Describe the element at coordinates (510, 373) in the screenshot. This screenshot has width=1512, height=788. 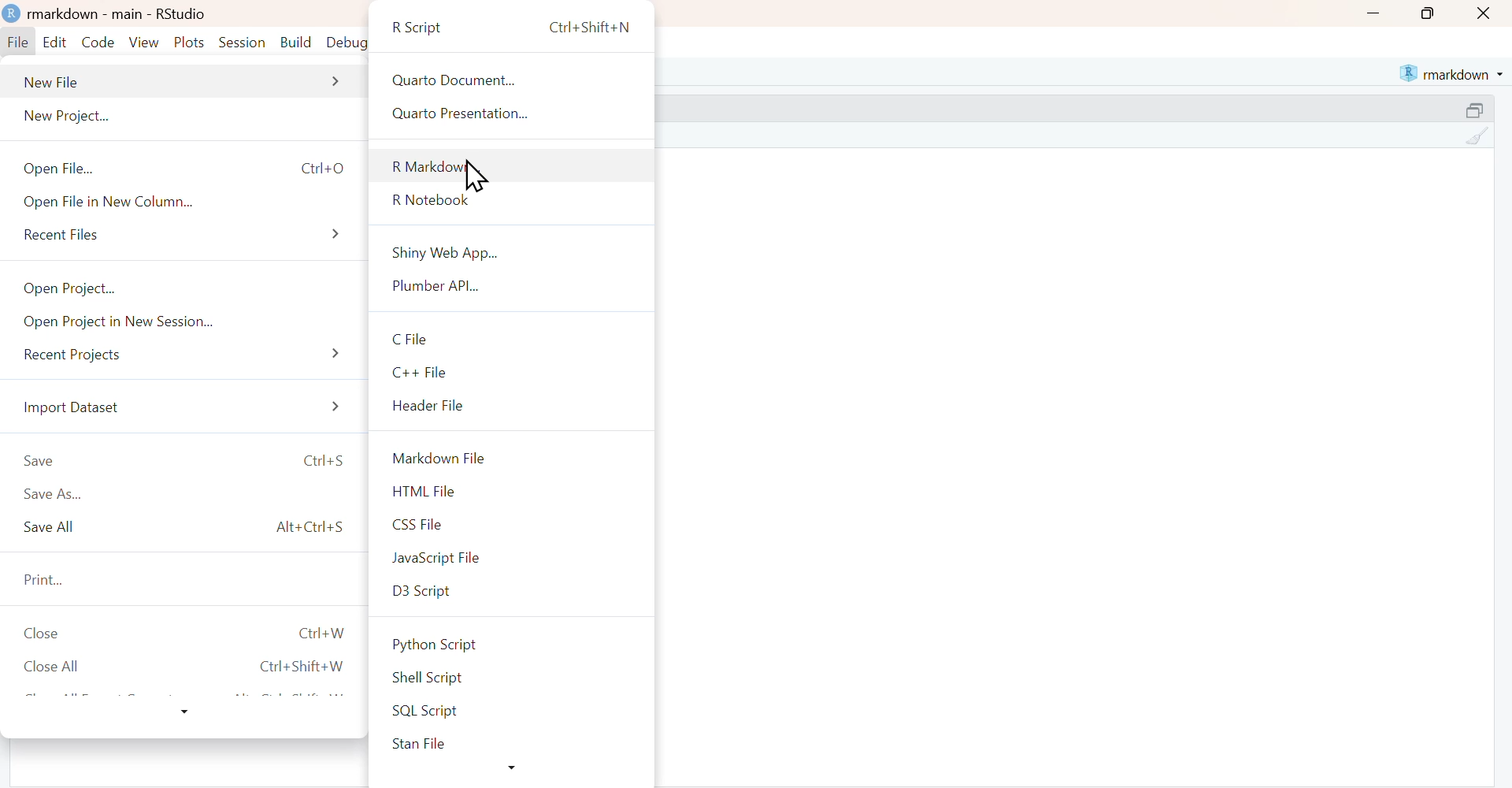
I see `C++ File` at that location.